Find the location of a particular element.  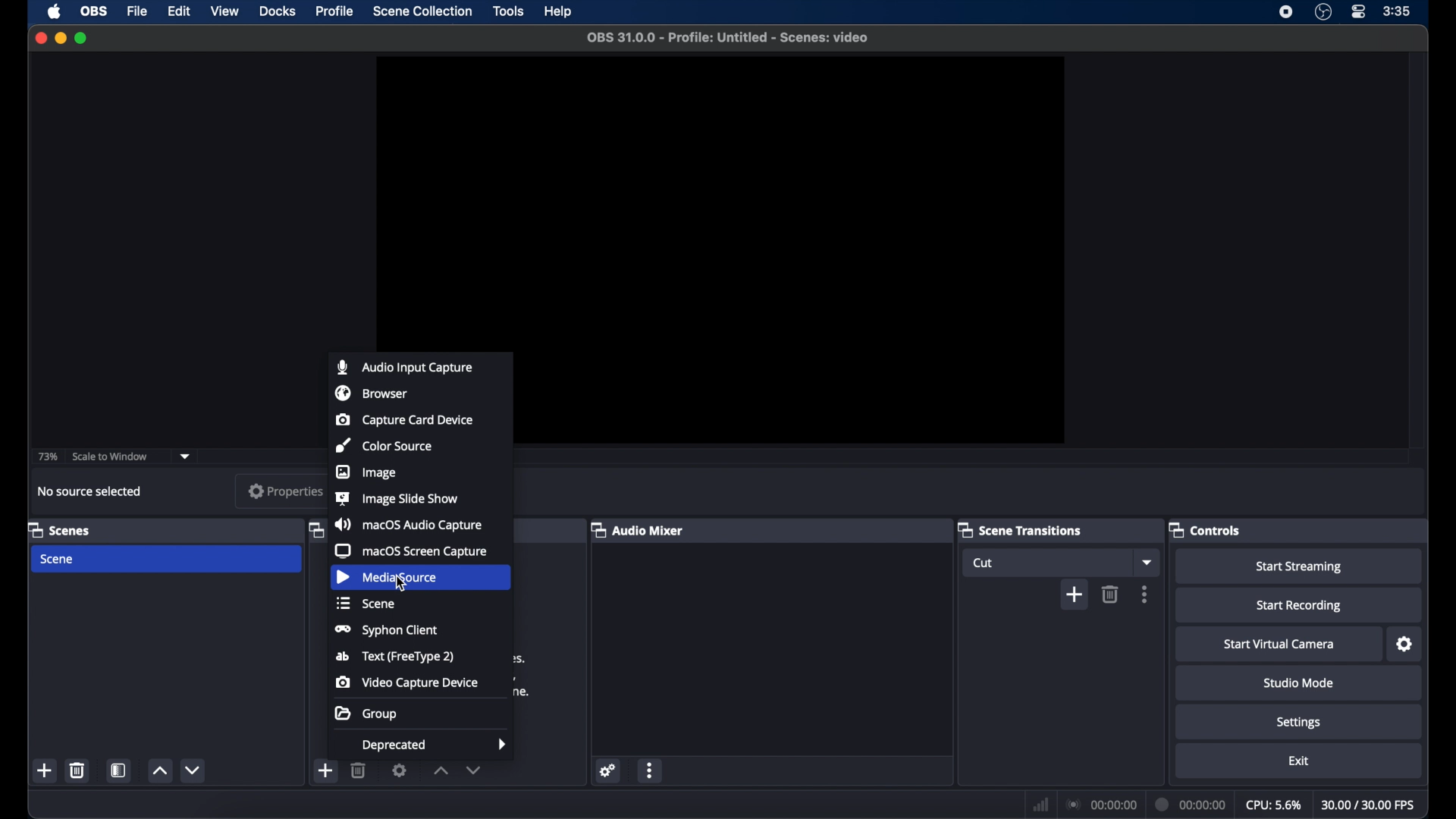

add is located at coordinates (326, 770).